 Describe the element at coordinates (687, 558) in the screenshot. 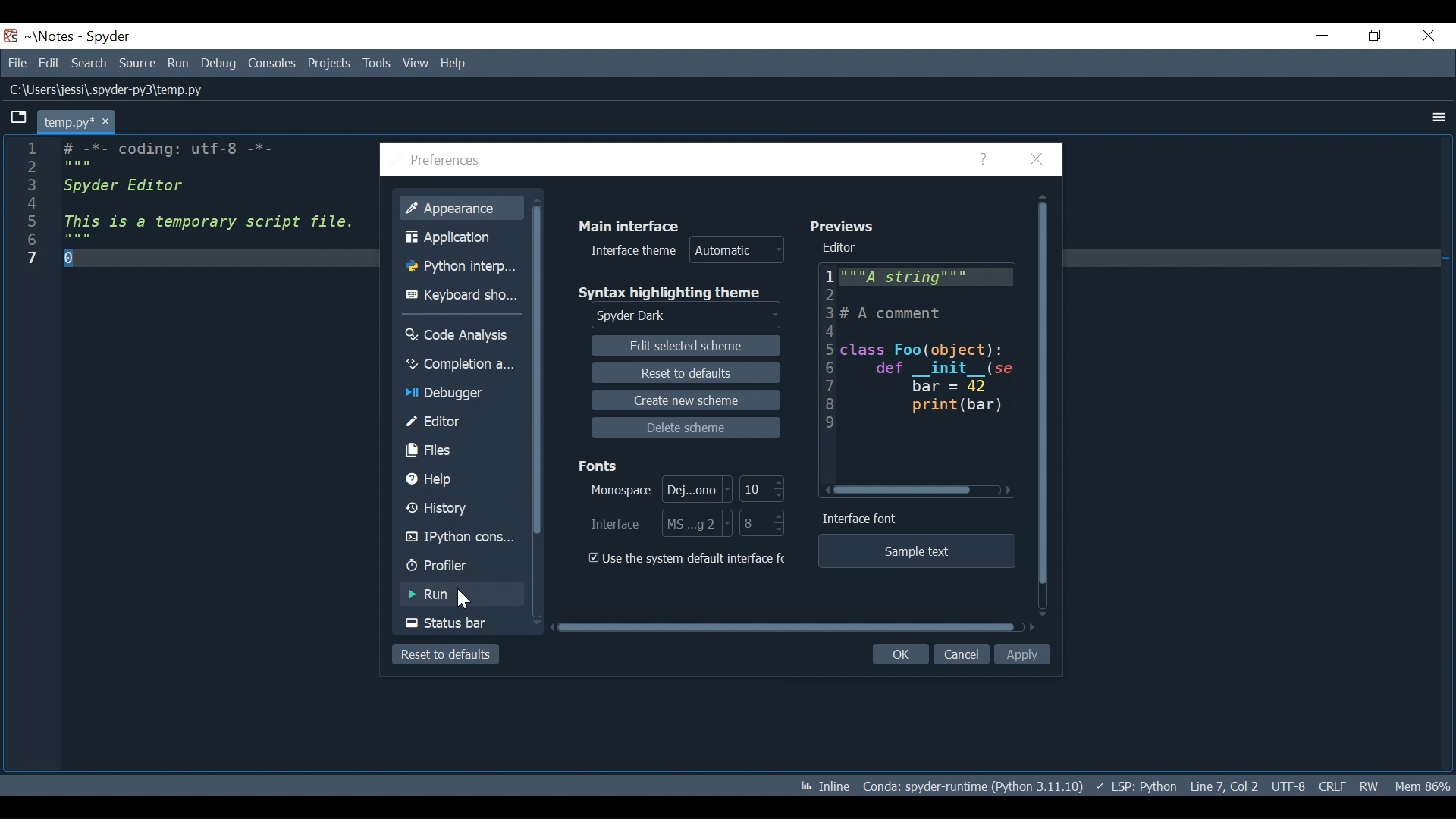

I see `(un)check the system default interface font` at that location.